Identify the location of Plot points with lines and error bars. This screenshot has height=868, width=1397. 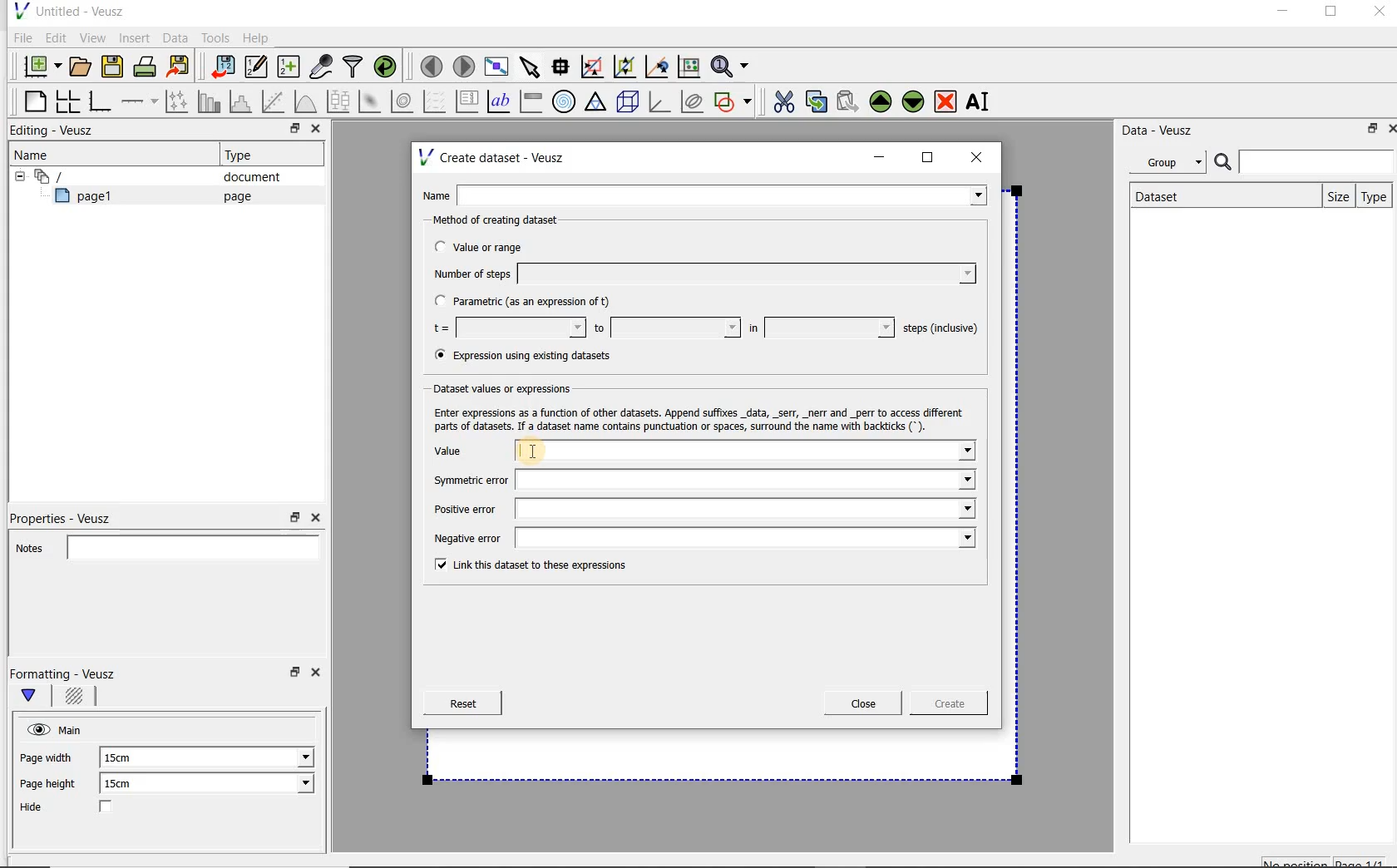
(178, 101).